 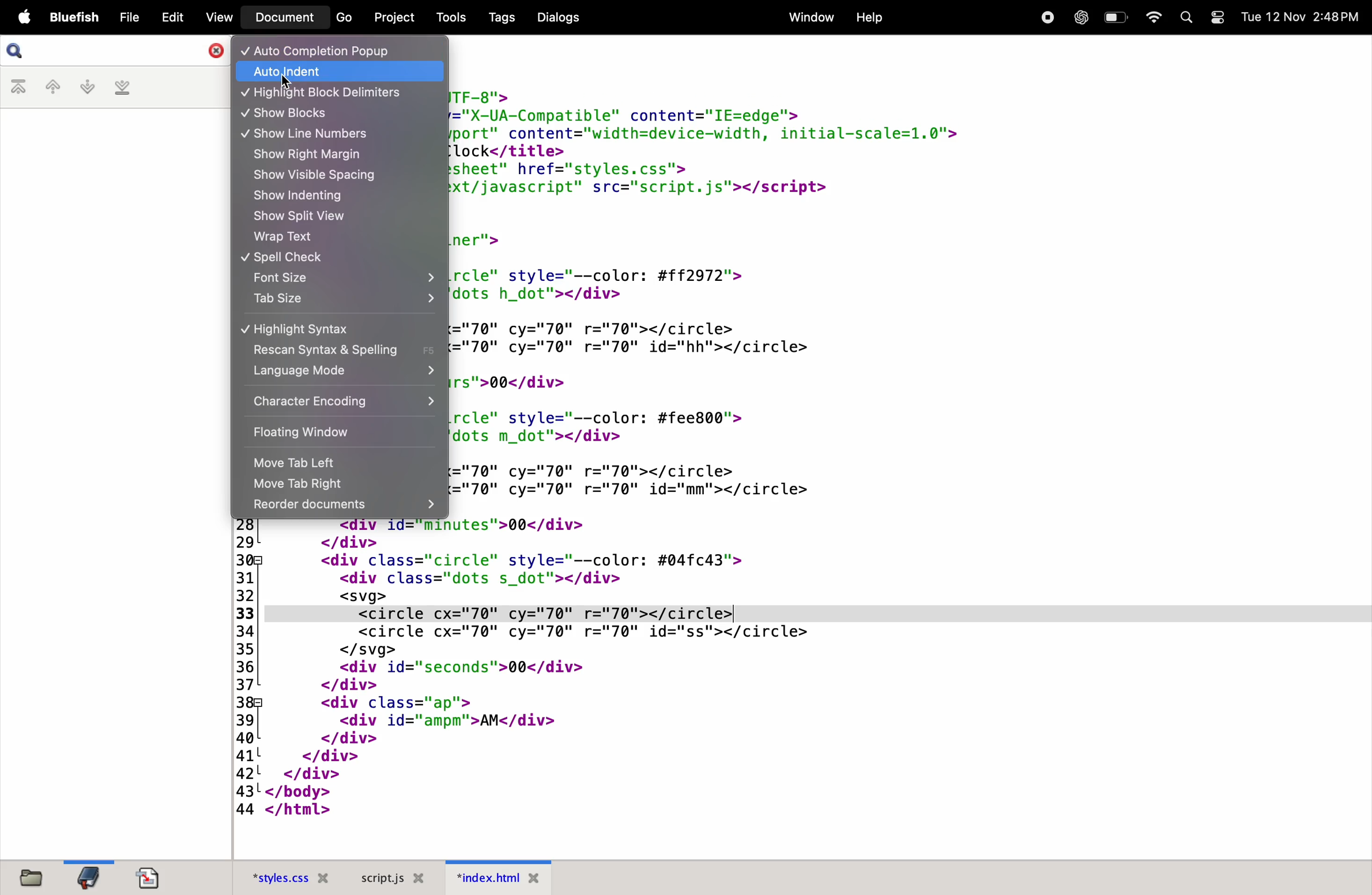 What do you see at coordinates (292, 82) in the screenshot?
I see `cursor` at bounding box center [292, 82].